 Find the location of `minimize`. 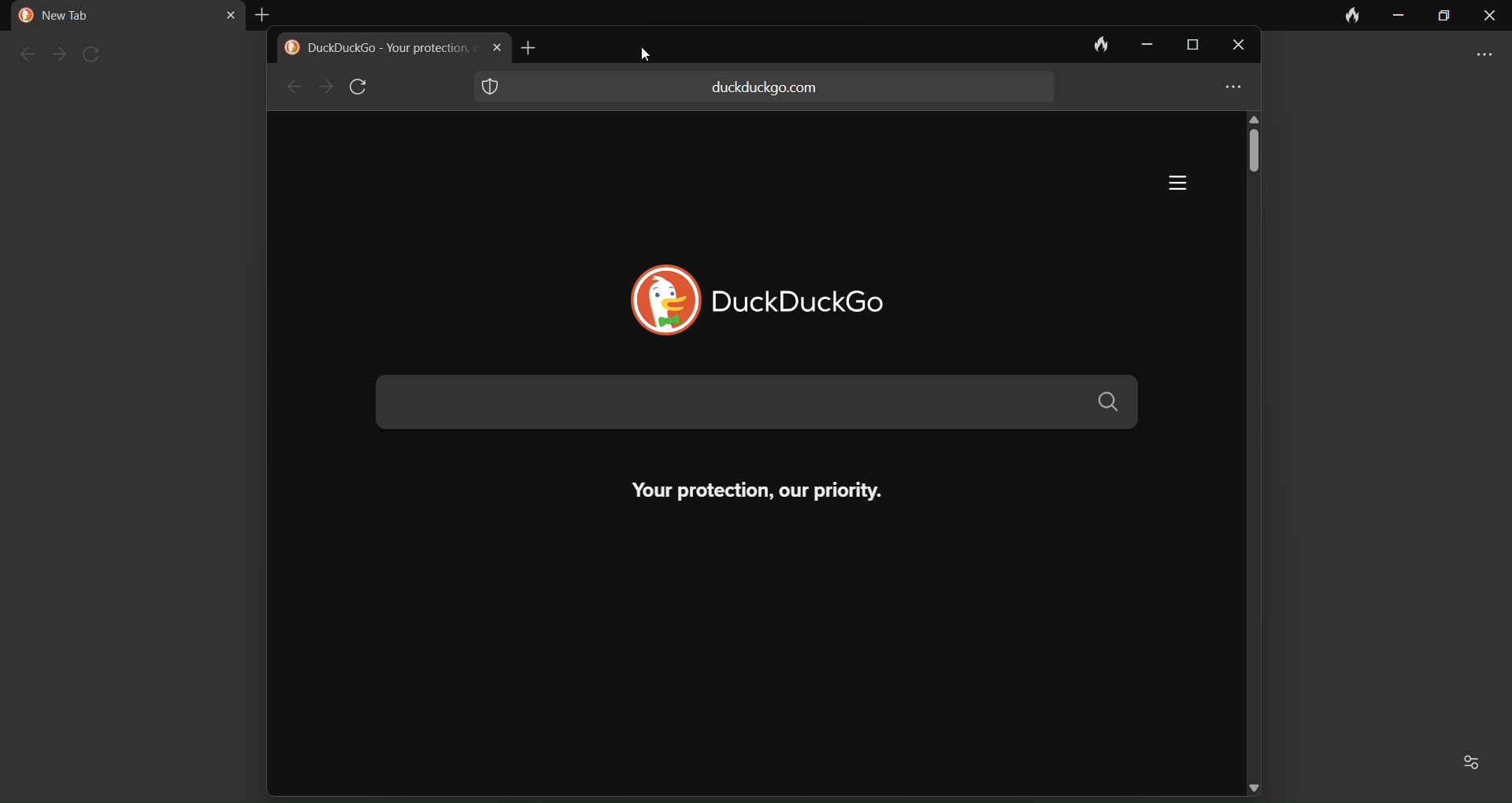

minimize is located at coordinates (1399, 17).